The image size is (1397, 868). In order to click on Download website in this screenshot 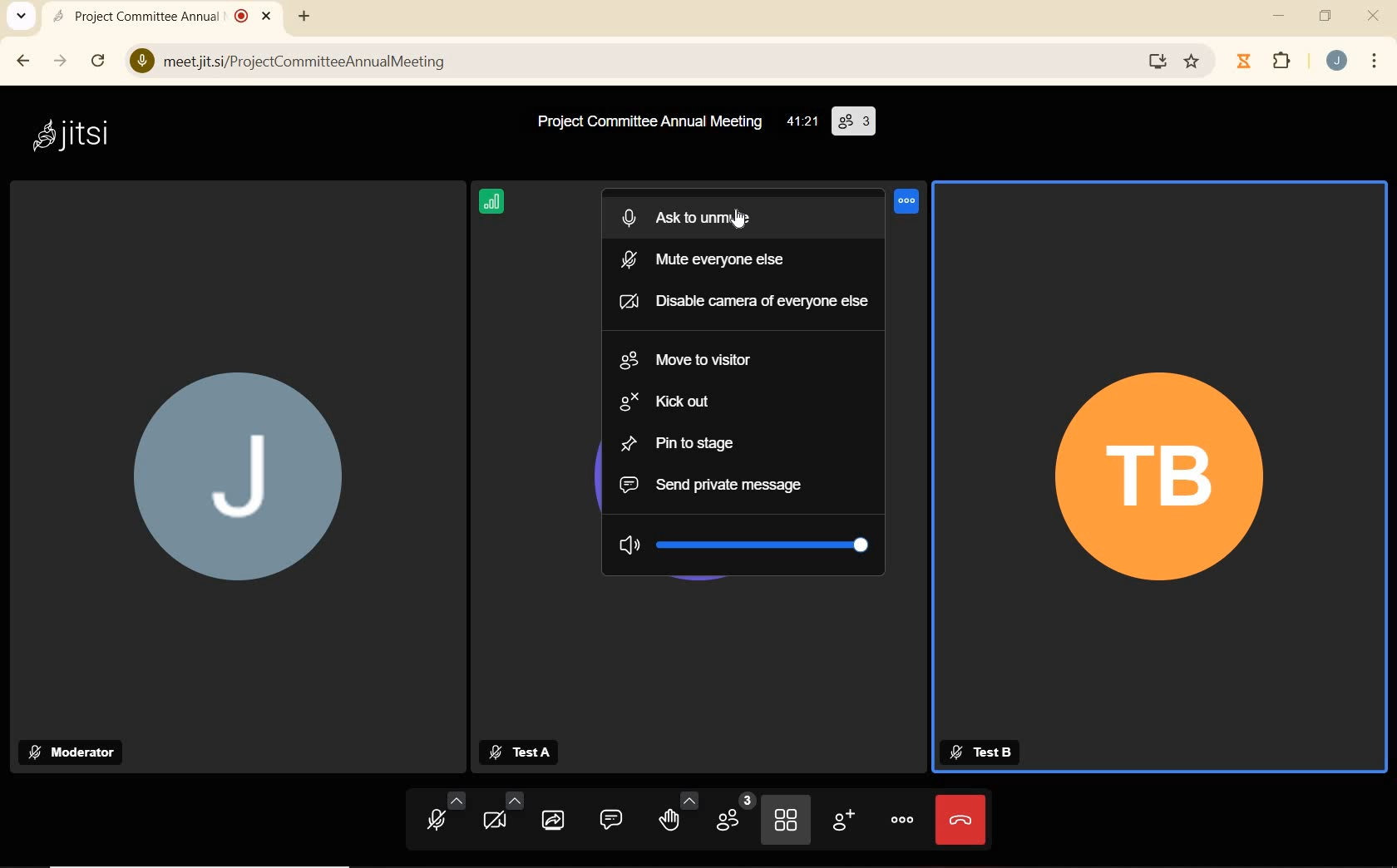, I will do `click(1155, 62)`.